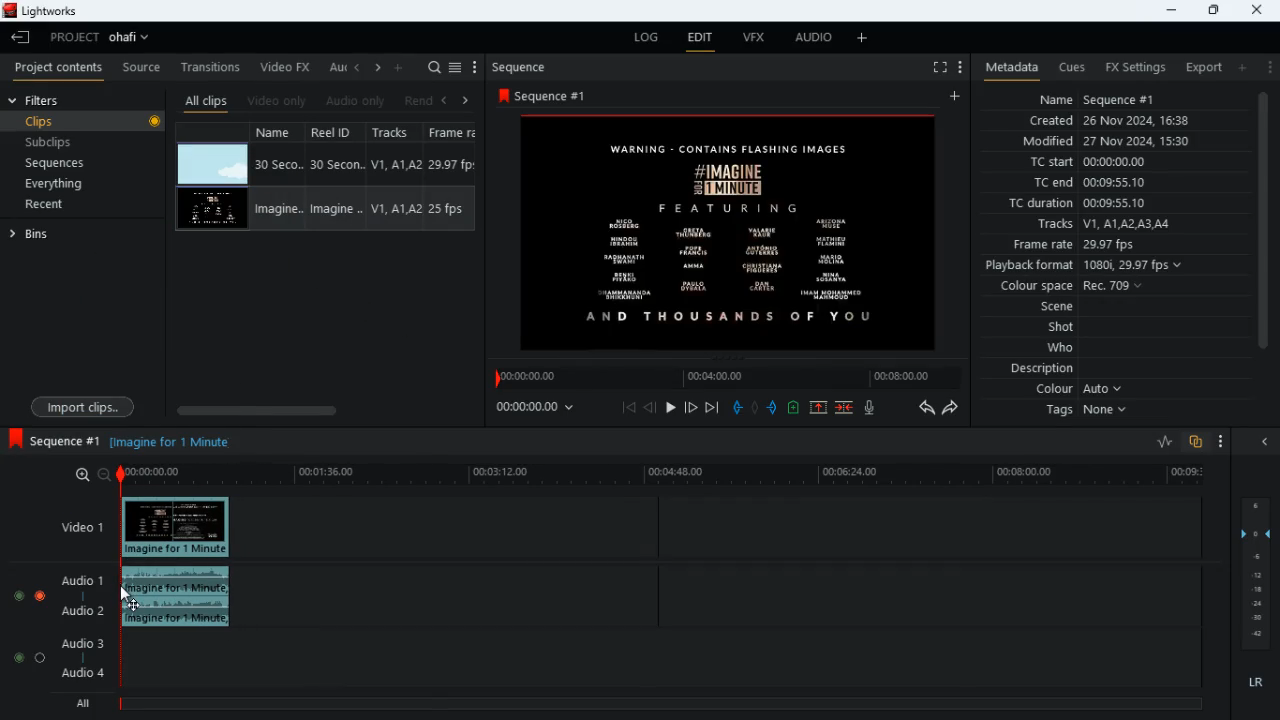  What do you see at coordinates (1104, 245) in the screenshot?
I see `frame rate` at bounding box center [1104, 245].